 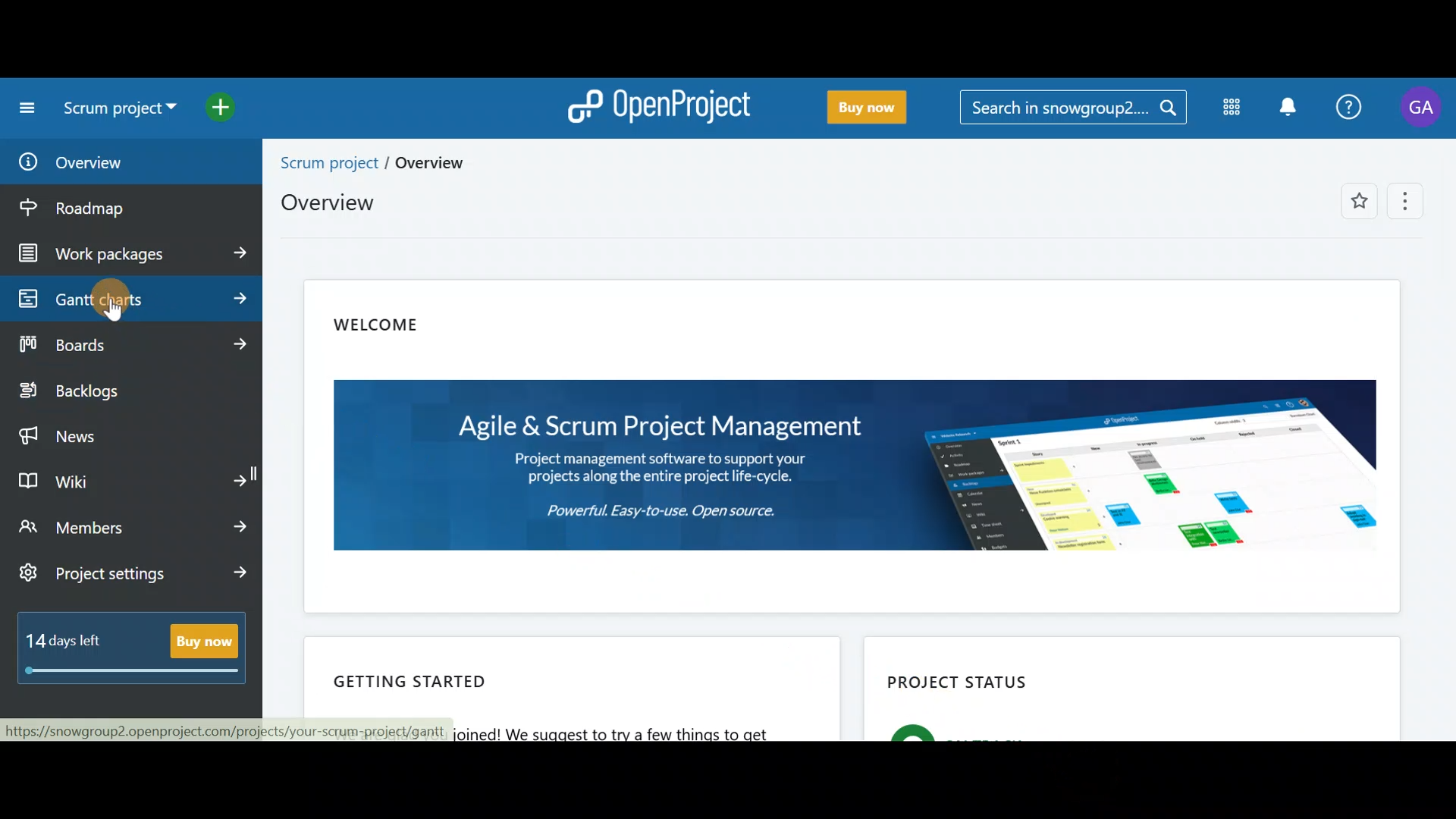 I want to click on Roadmap, so click(x=118, y=204).